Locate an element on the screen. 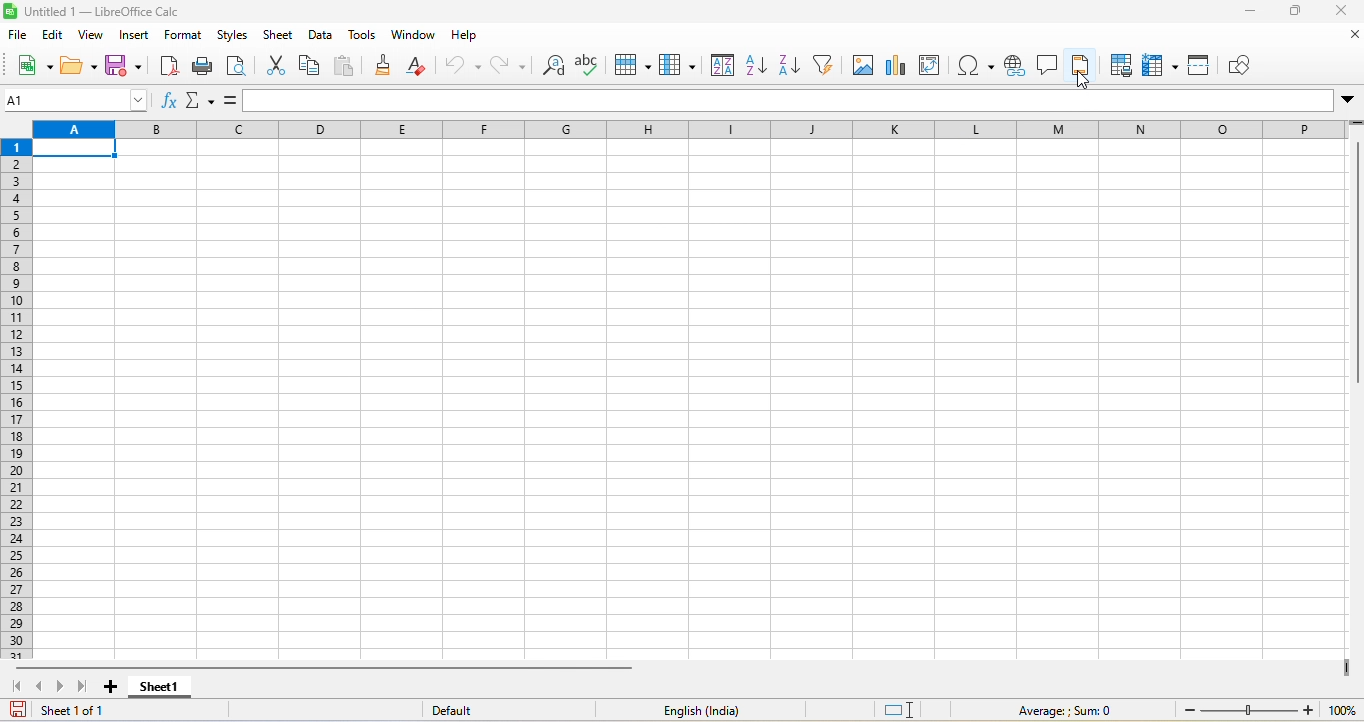 This screenshot has height=722, width=1364. zoom is located at coordinates (1264, 711).